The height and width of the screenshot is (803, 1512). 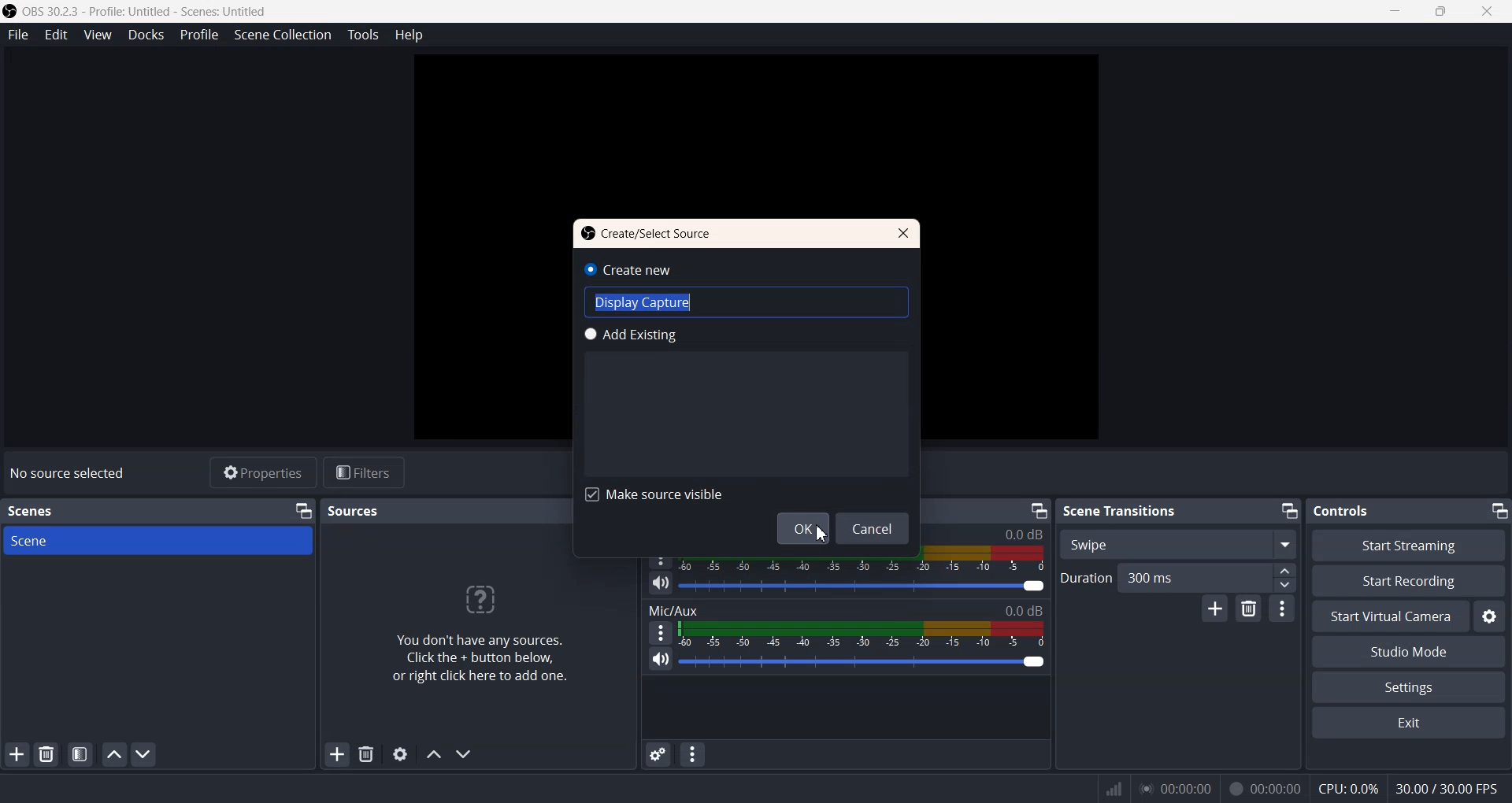 What do you see at coordinates (143, 753) in the screenshot?
I see `Move Scene Down` at bounding box center [143, 753].